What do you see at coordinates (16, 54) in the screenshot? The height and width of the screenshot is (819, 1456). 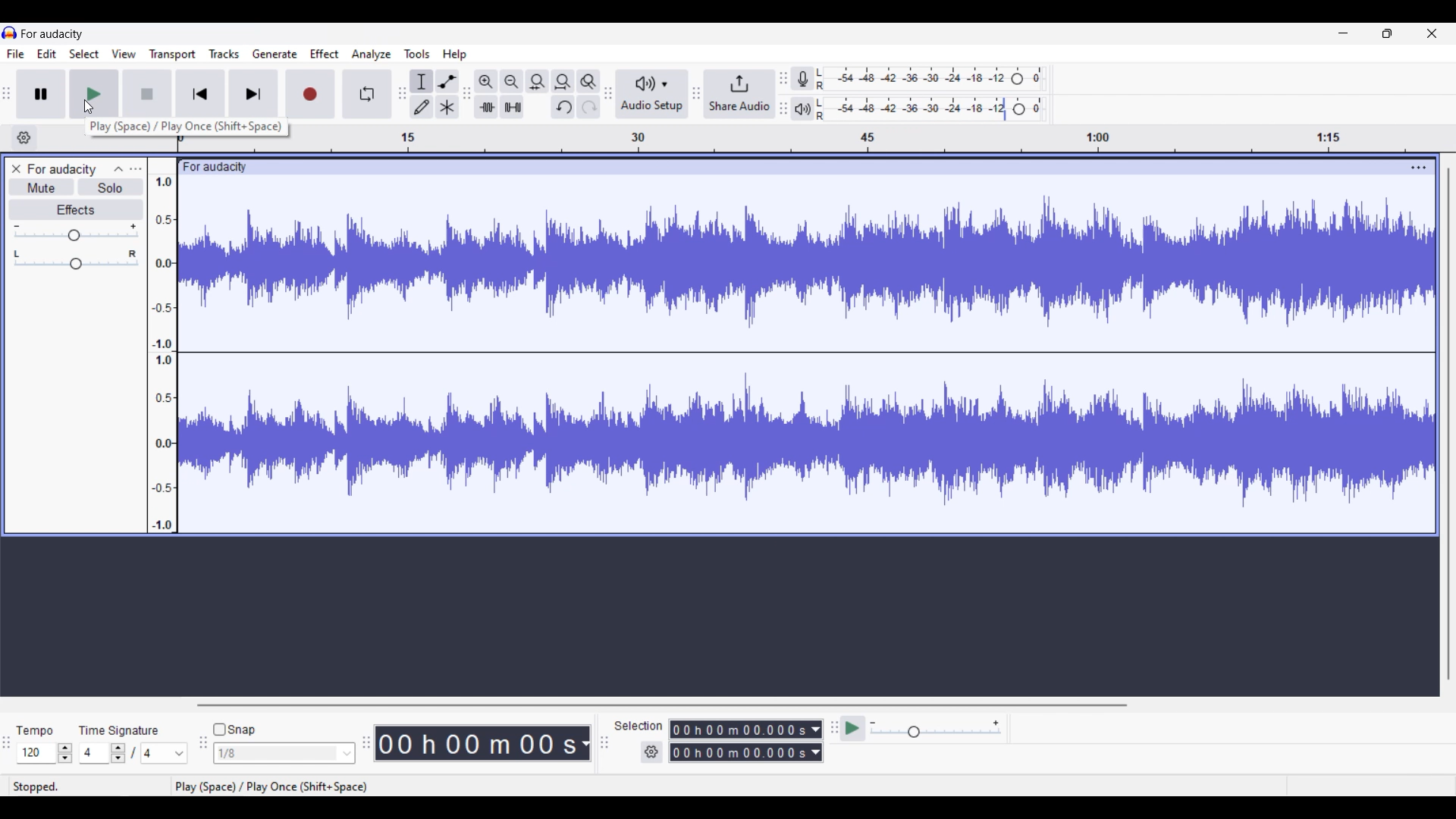 I see `File menu` at bounding box center [16, 54].